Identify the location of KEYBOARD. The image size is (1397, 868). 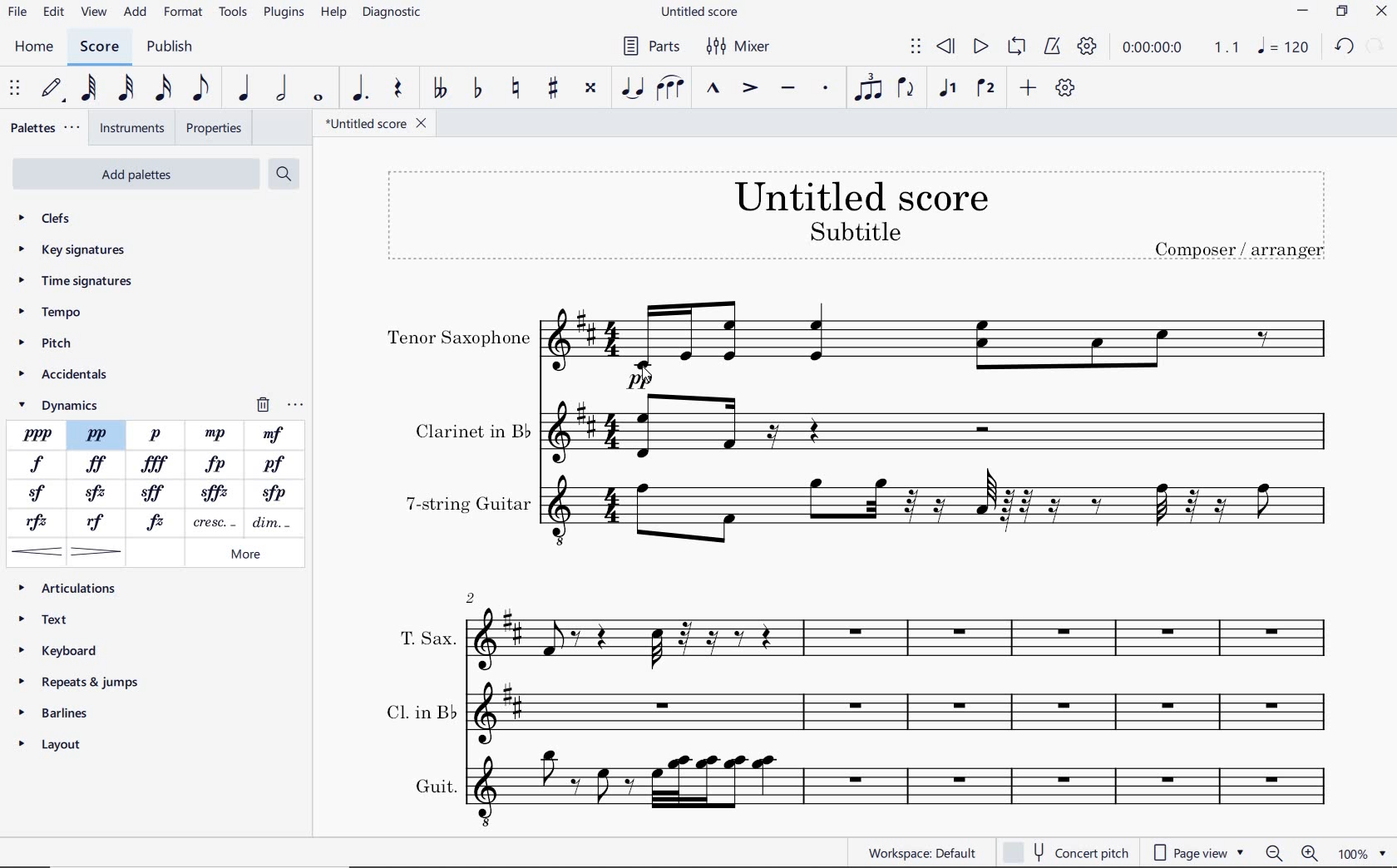
(58, 650).